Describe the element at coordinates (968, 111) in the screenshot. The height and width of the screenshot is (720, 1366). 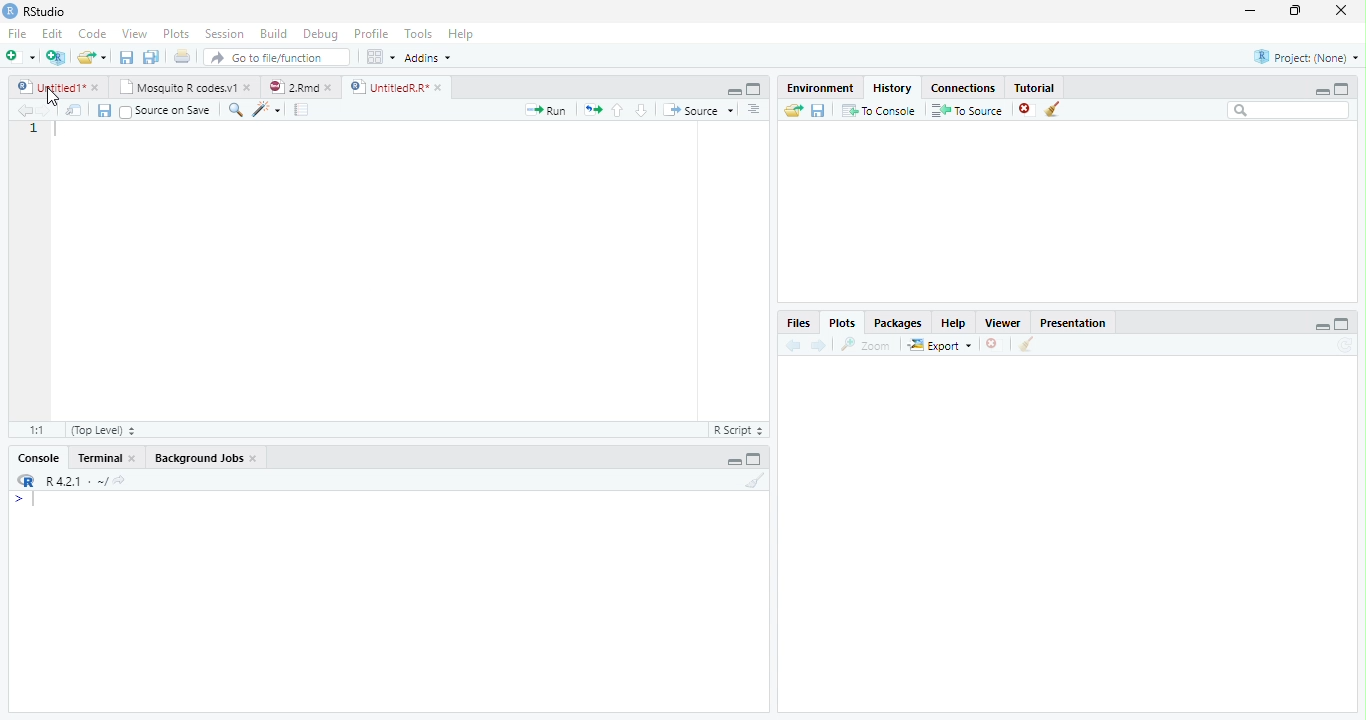
I see `To source` at that location.